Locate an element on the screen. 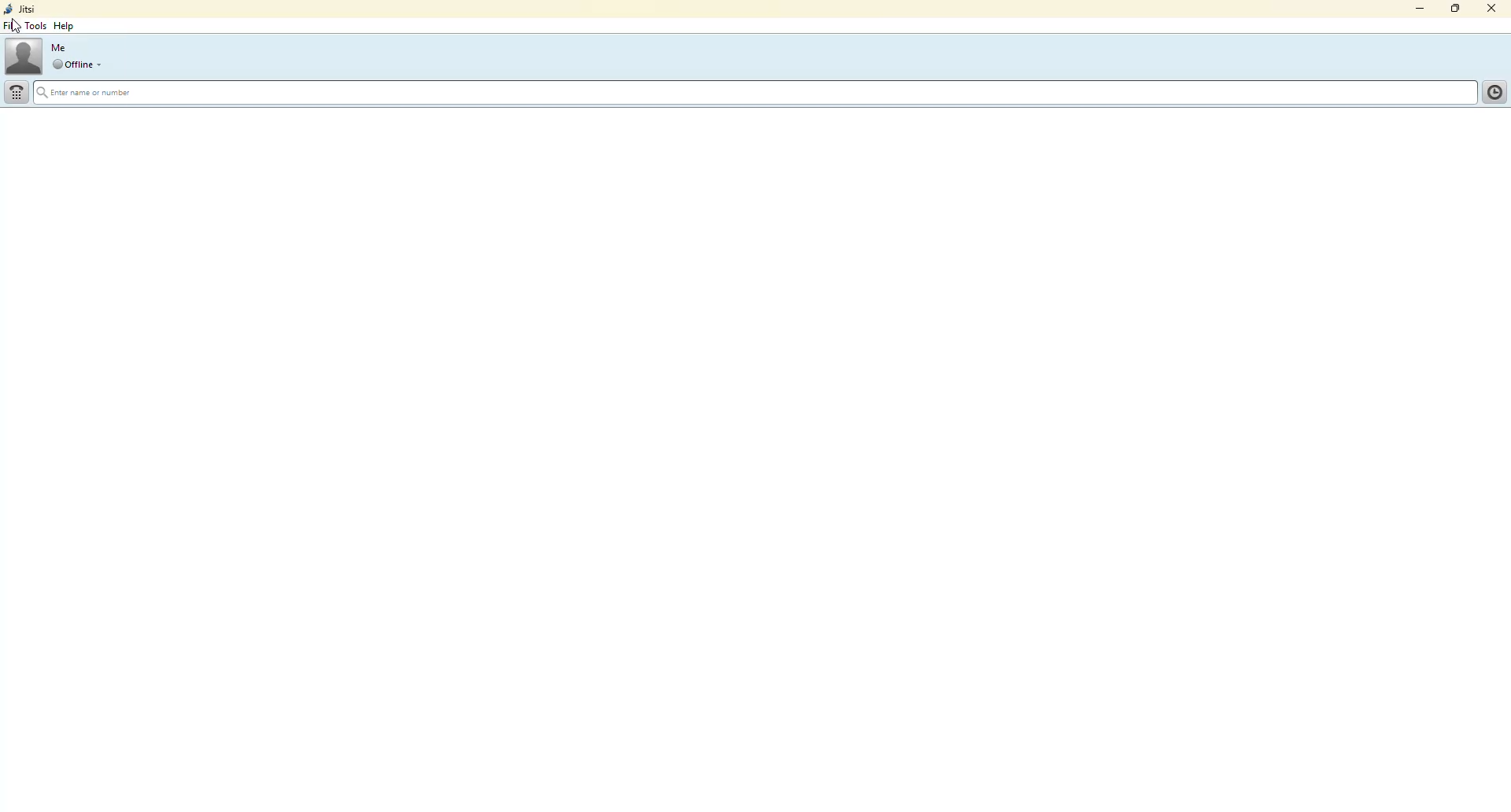 The height and width of the screenshot is (812, 1511). tools is located at coordinates (36, 25).